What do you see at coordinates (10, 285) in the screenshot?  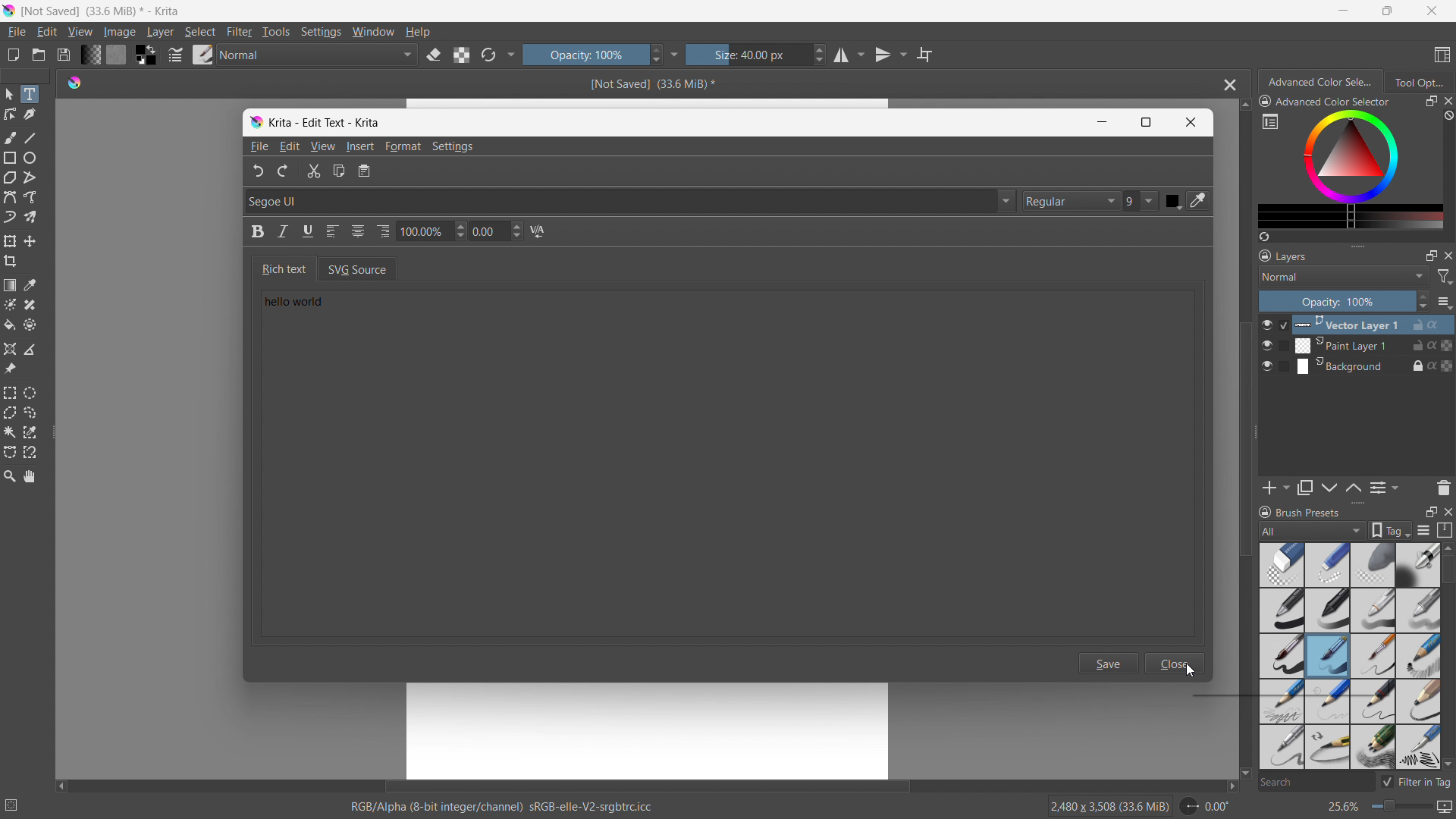 I see `draw a gradient` at bounding box center [10, 285].